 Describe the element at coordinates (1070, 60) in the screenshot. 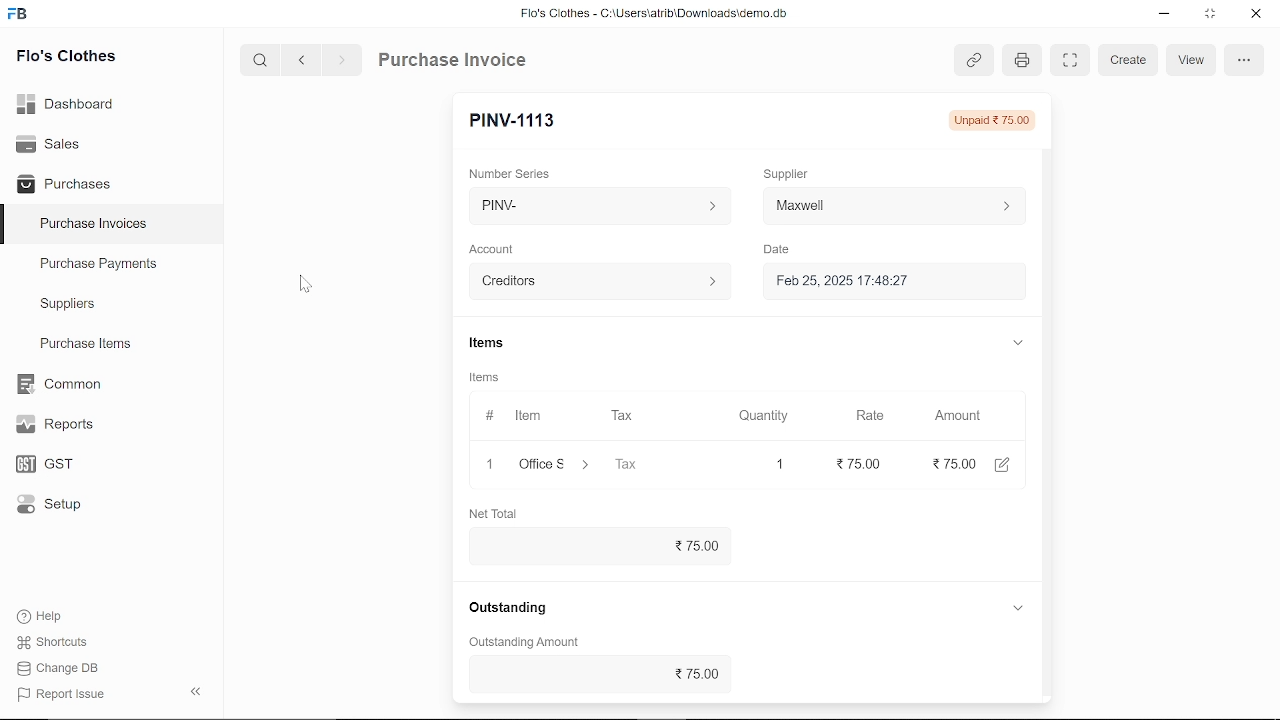

I see `full view` at that location.